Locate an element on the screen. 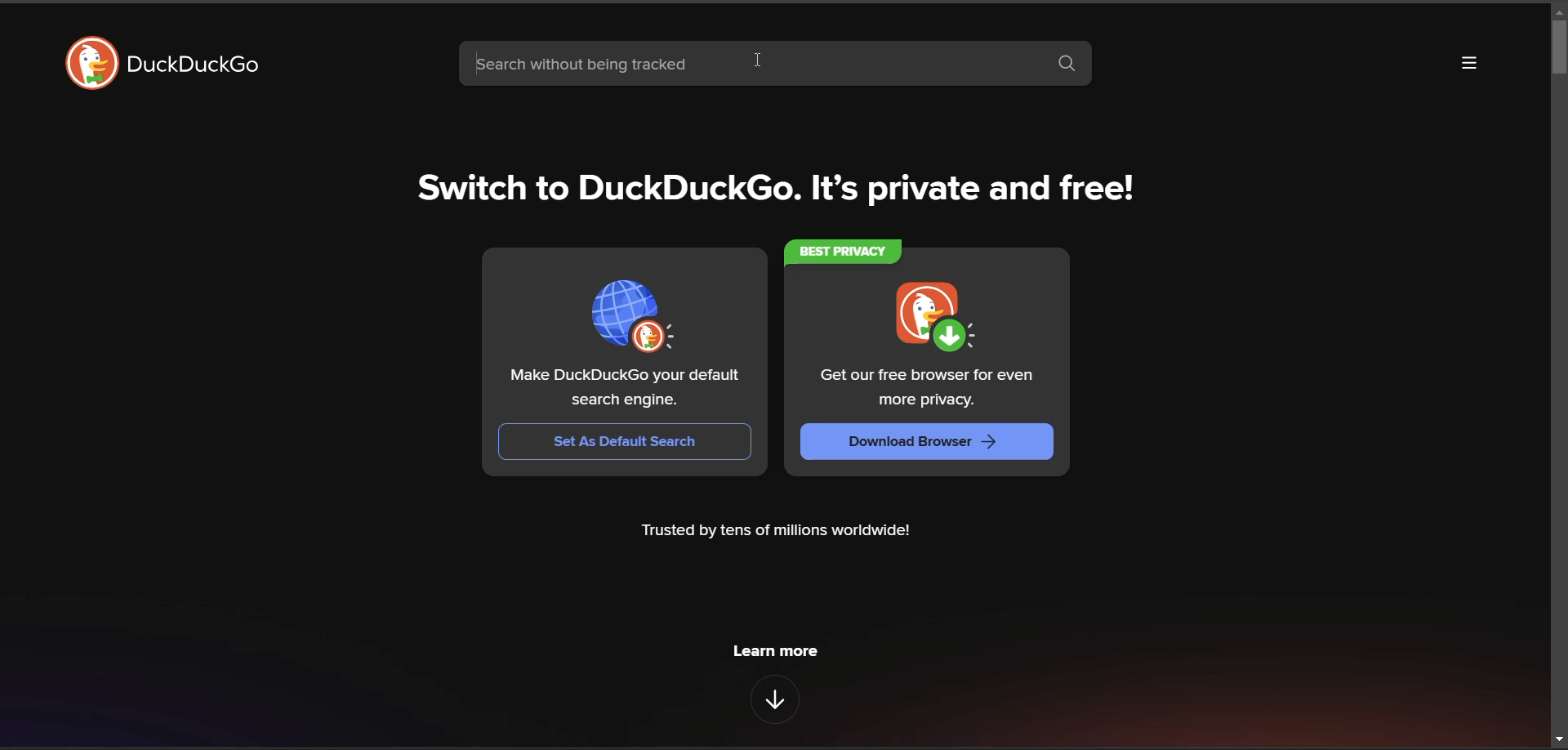 This screenshot has width=1568, height=750. Trusted by tens of millions worldwide! is located at coordinates (777, 533).